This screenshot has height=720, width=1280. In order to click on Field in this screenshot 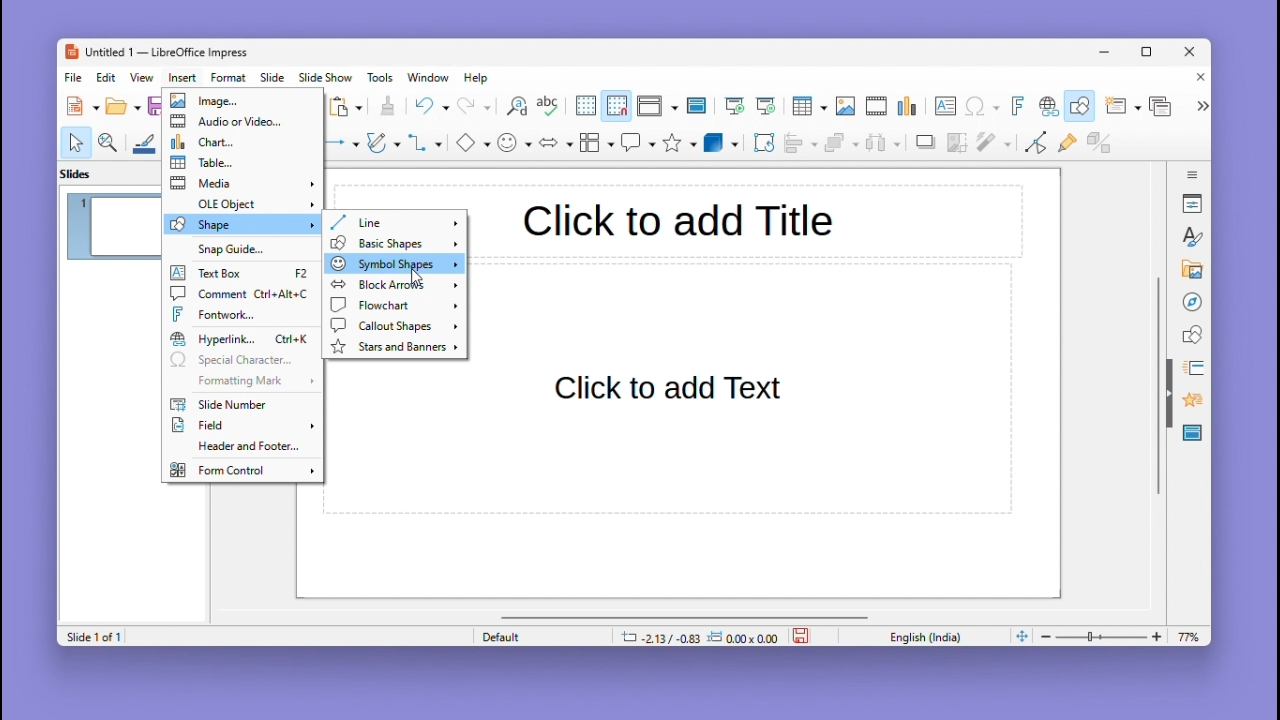, I will do `click(242, 427)`.